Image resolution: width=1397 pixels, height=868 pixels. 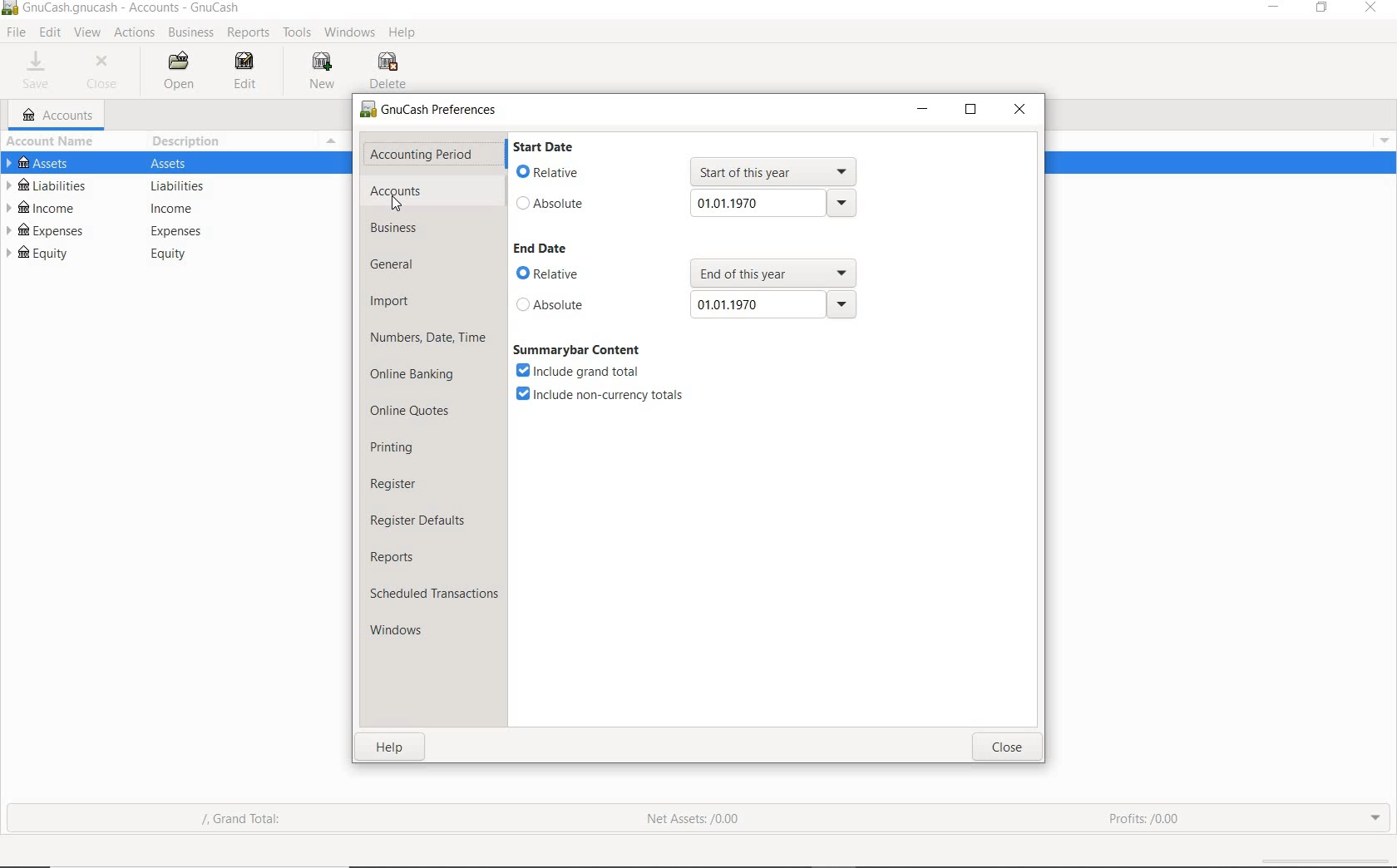 What do you see at coordinates (582, 371) in the screenshot?
I see `include grand total` at bounding box center [582, 371].